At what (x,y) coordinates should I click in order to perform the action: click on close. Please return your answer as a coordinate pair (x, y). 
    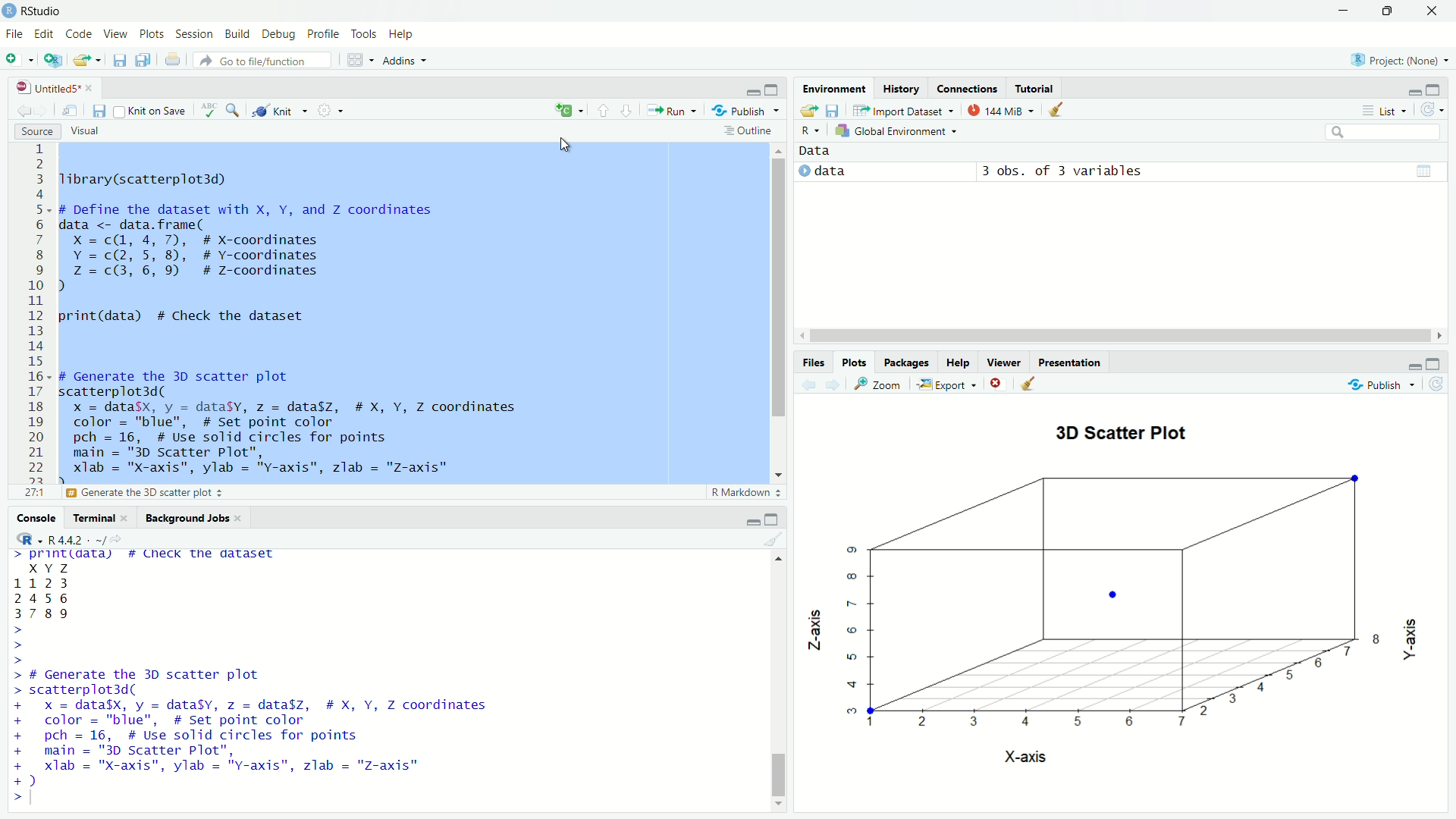
    Looking at the image, I should click on (1435, 12).